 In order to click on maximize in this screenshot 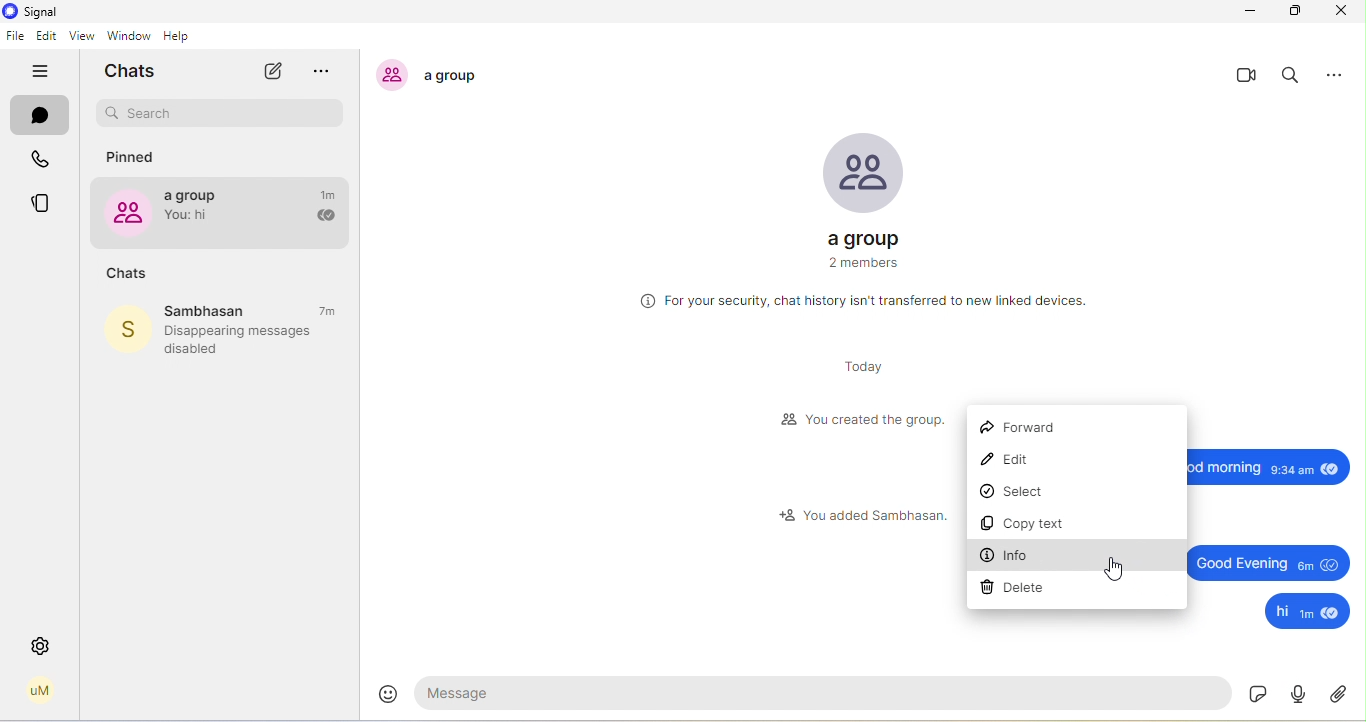, I will do `click(1296, 11)`.